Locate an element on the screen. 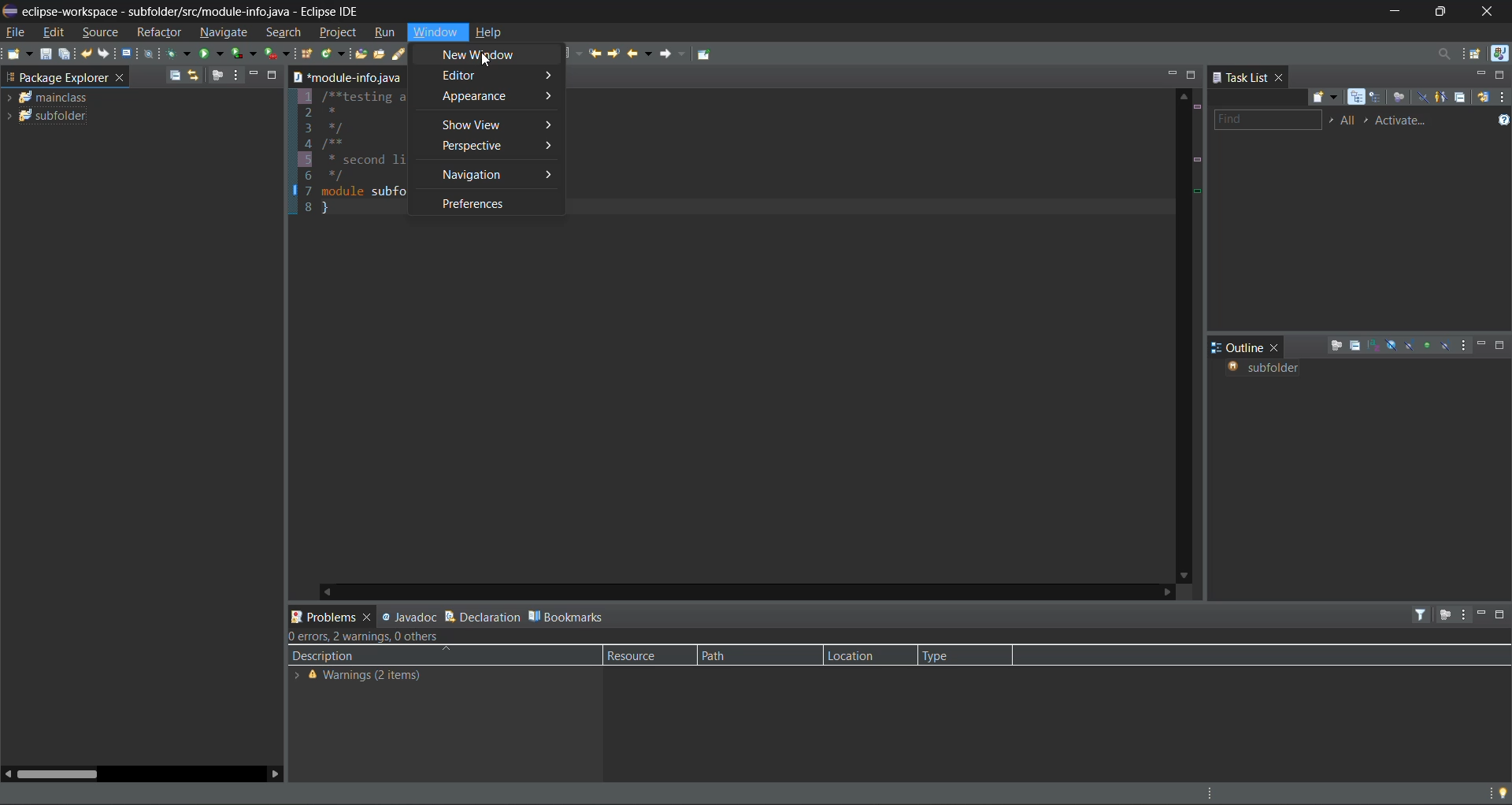 This screenshot has height=805, width=1512. run is located at coordinates (387, 33).